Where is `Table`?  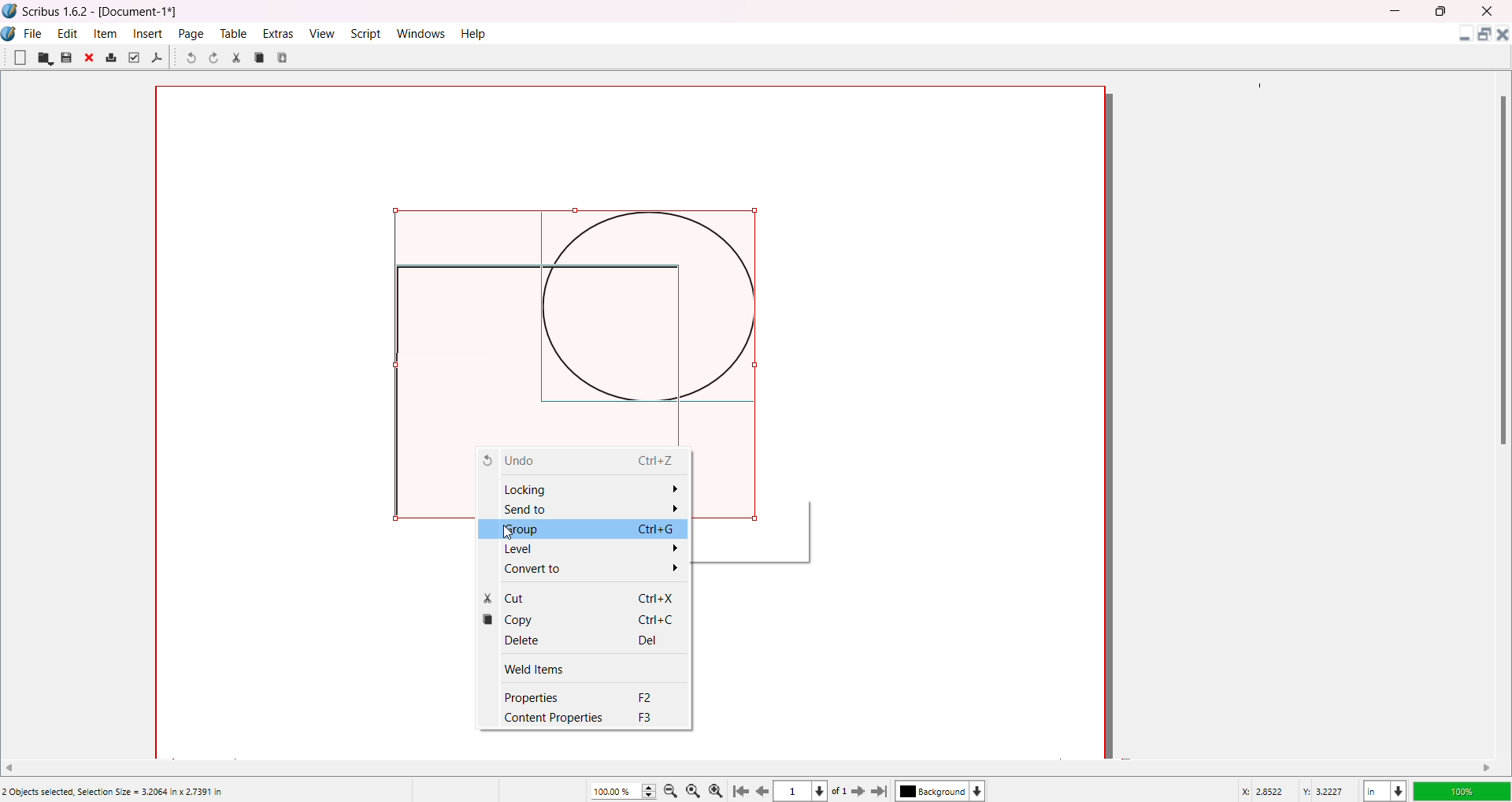
Table is located at coordinates (232, 33).